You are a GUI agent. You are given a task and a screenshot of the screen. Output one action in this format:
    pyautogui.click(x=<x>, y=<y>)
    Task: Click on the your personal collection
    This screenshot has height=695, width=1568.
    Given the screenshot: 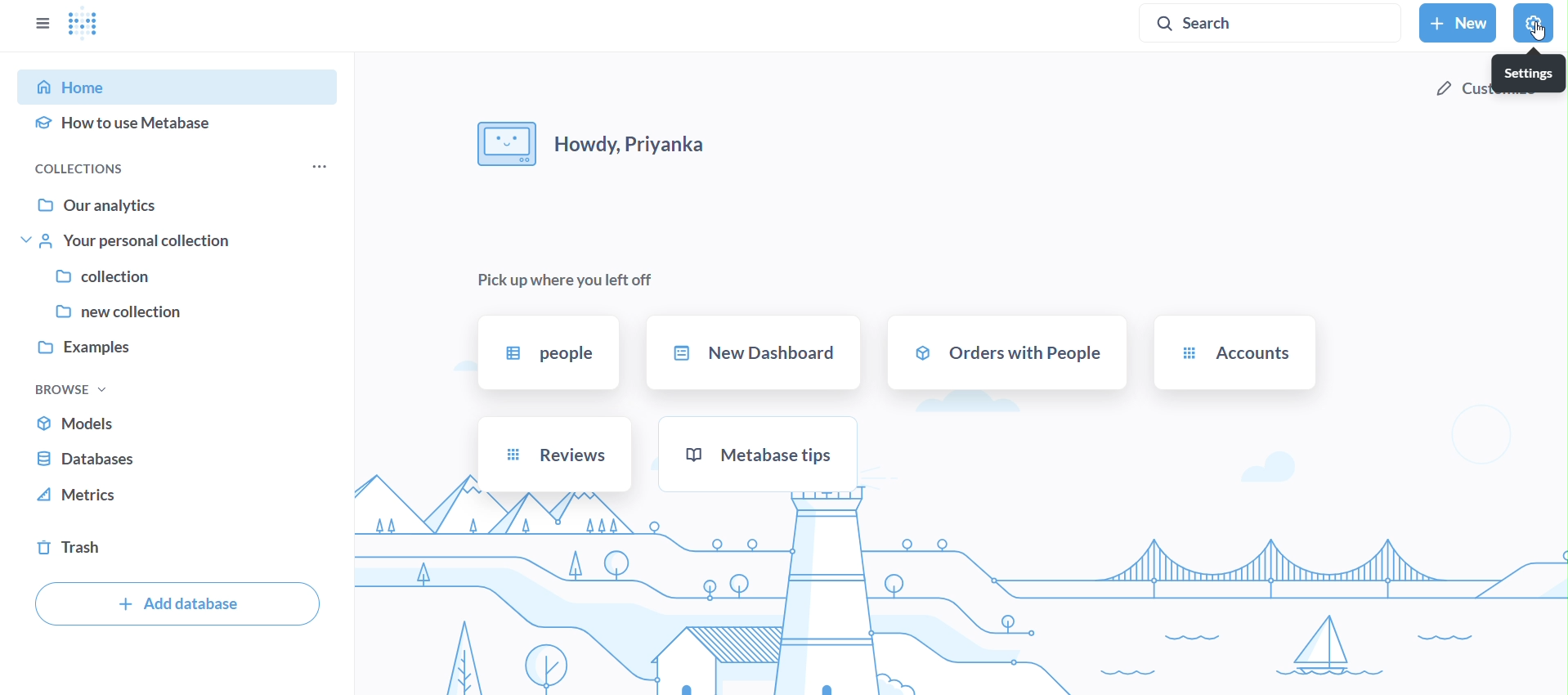 What is the action you would take?
    pyautogui.click(x=180, y=240)
    